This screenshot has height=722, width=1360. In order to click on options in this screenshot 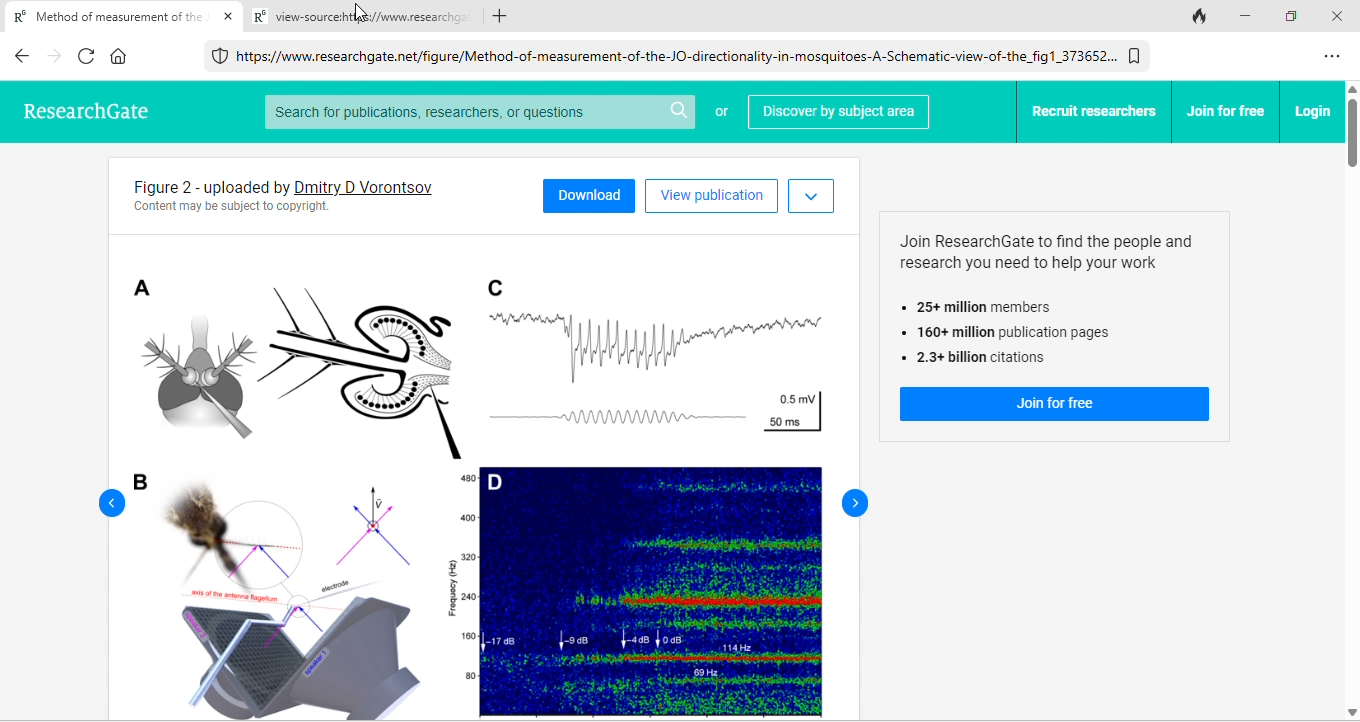, I will do `click(812, 195)`.